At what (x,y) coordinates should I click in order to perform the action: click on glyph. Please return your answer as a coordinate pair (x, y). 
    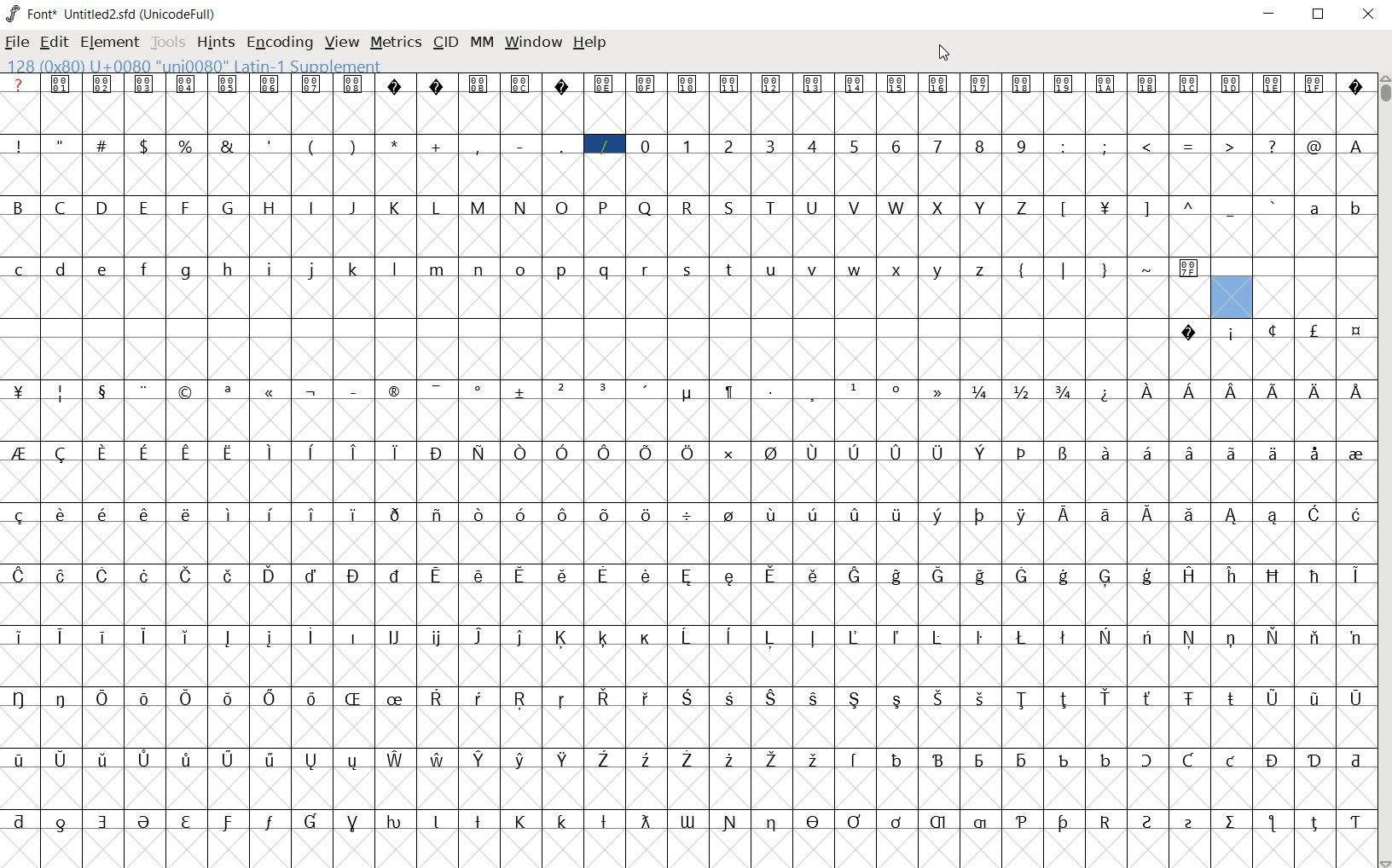
    Looking at the image, I should click on (144, 576).